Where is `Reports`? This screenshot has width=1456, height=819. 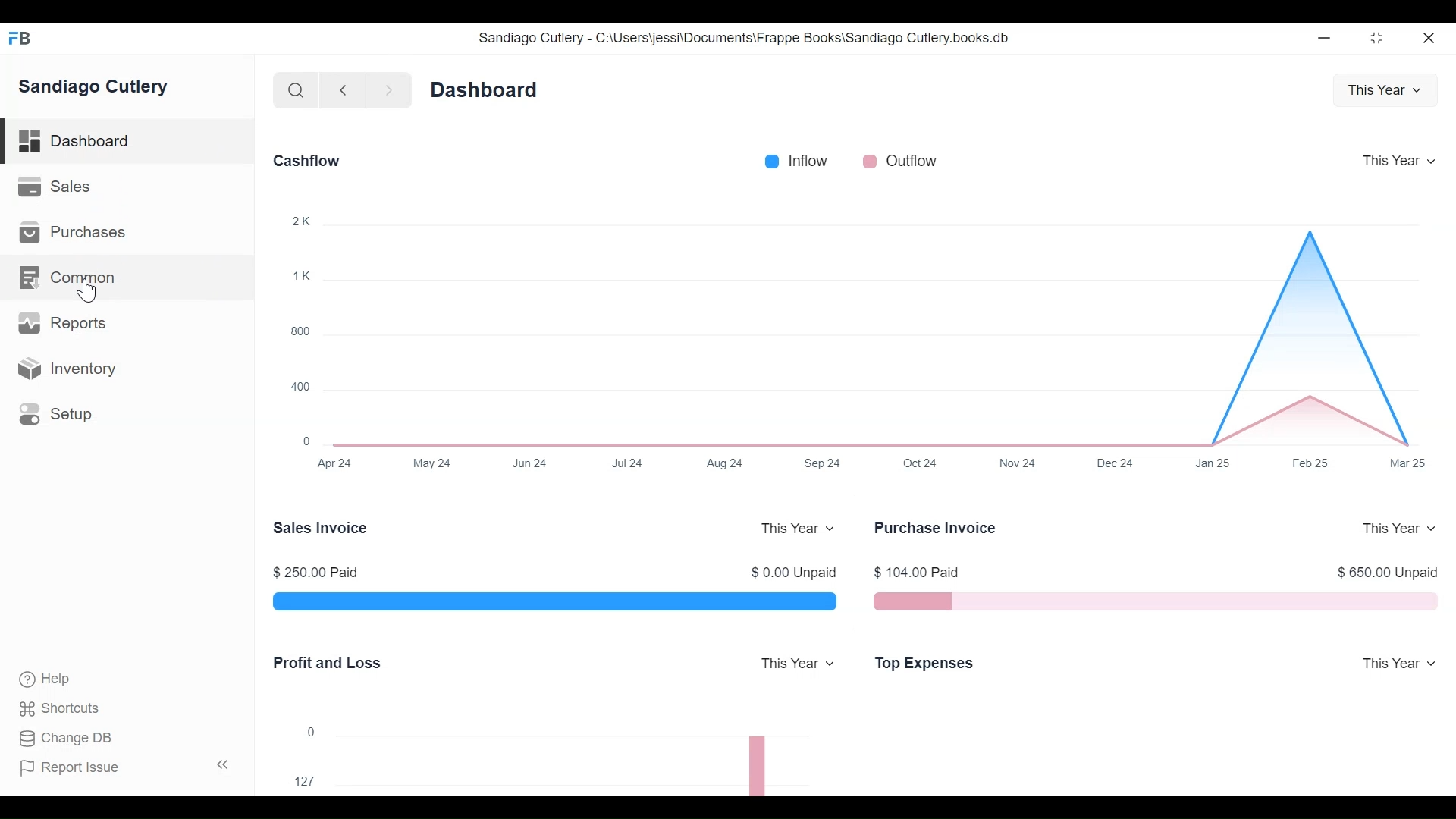 Reports is located at coordinates (126, 323).